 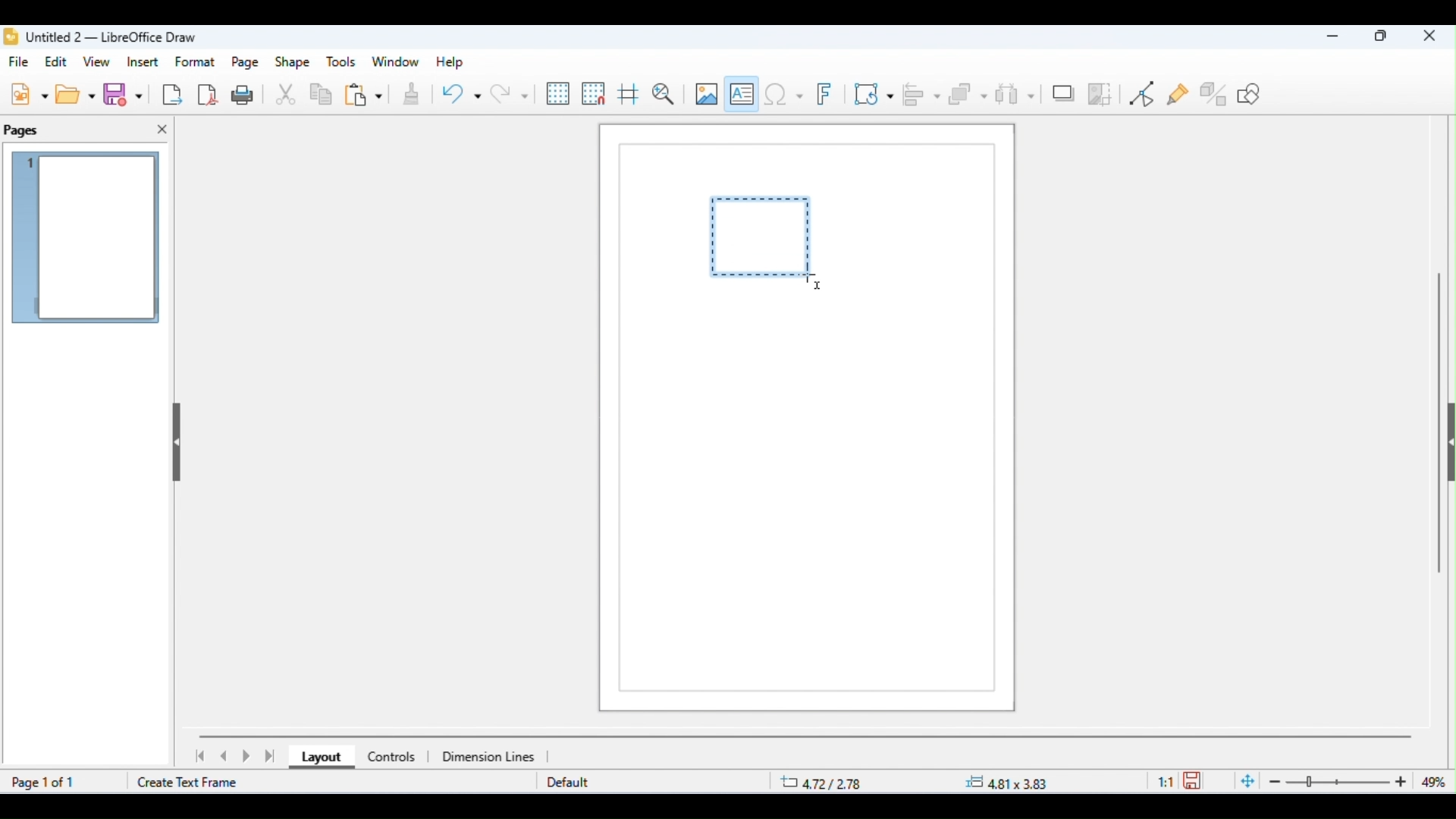 I want to click on insert, so click(x=143, y=61).